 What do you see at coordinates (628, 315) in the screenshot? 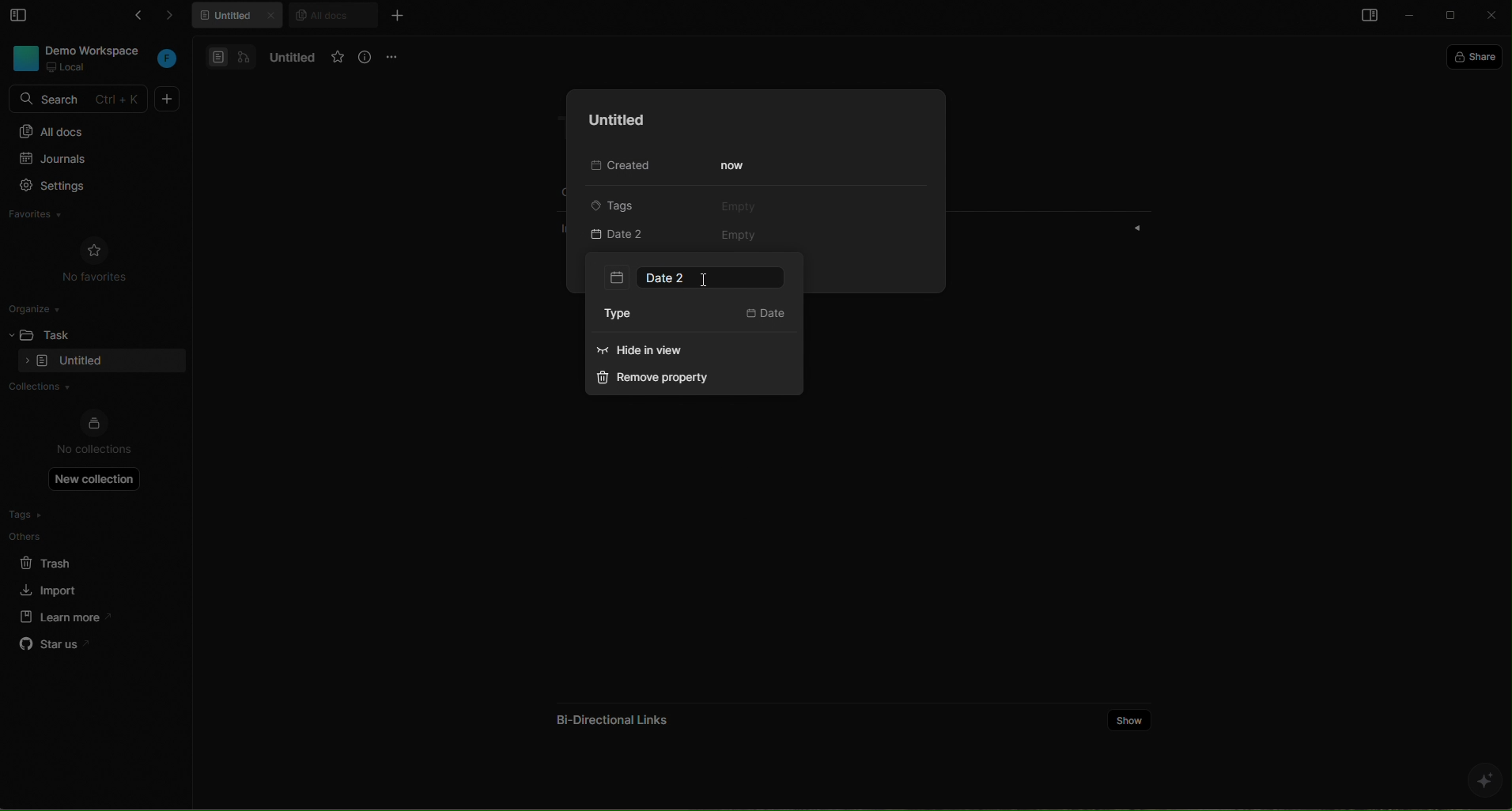
I see `type` at bounding box center [628, 315].